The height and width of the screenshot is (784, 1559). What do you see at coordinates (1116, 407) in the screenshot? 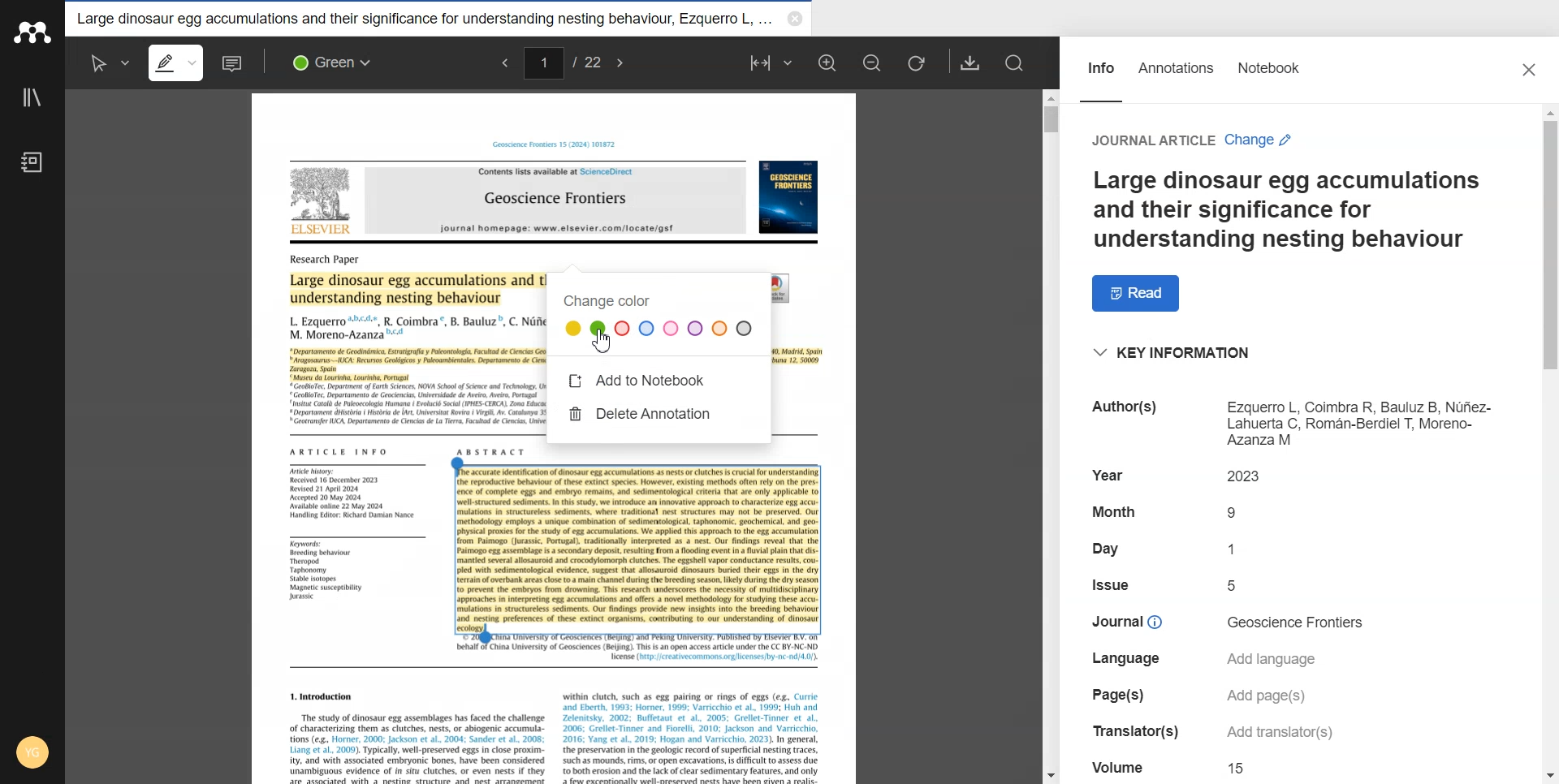
I see `text` at bounding box center [1116, 407].